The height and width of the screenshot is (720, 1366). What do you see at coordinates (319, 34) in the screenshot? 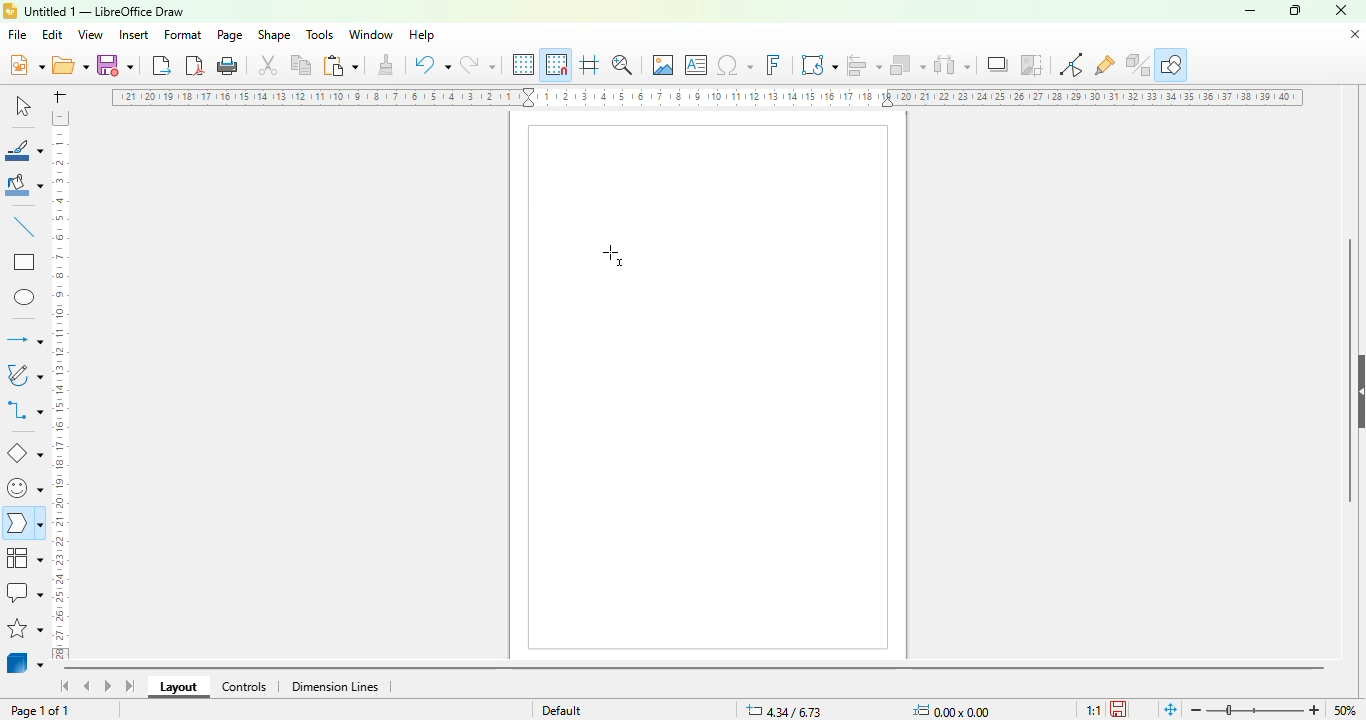
I see `tools` at bounding box center [319, 34].